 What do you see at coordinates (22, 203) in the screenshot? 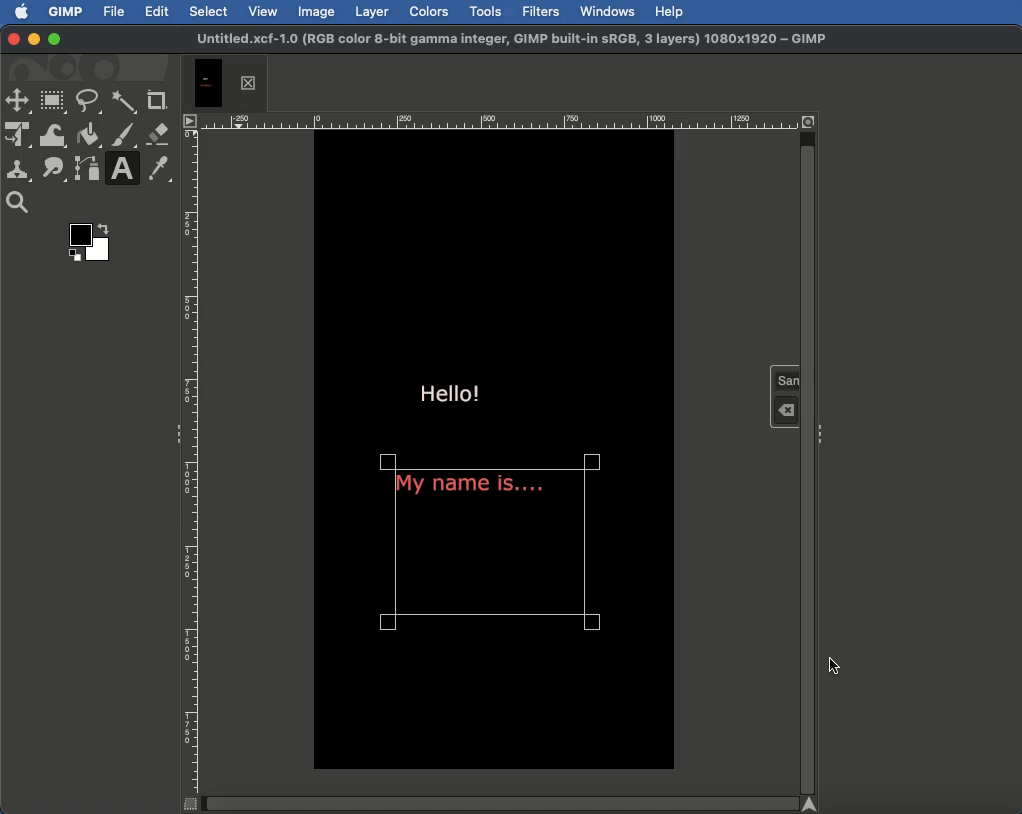
I see `Magnify` at bounding box center [22, 203].